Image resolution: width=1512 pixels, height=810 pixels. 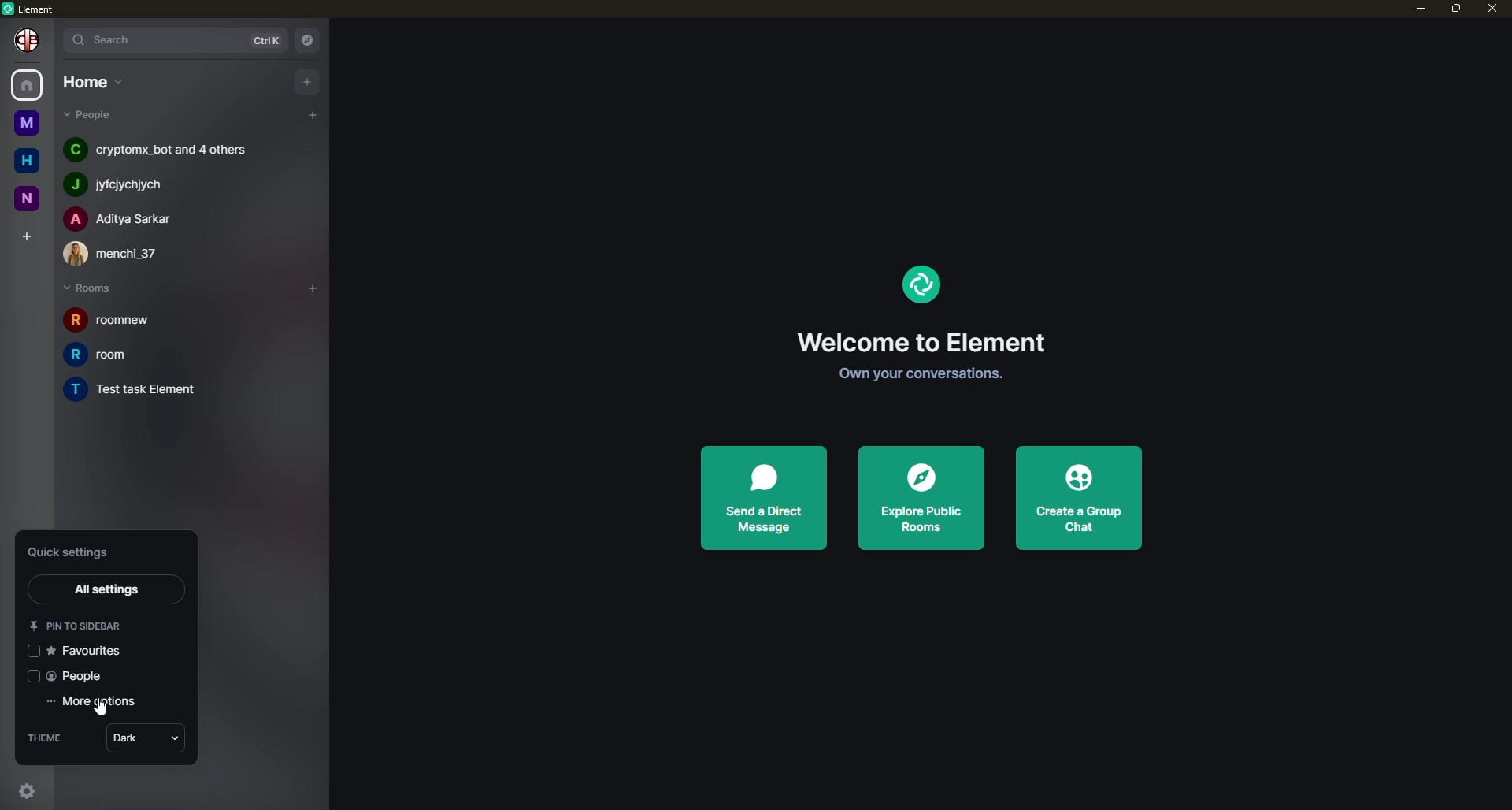 What do you see at coordinates (104, 321) in the screenshot?
I see `room` at bounding box center [104, 321].